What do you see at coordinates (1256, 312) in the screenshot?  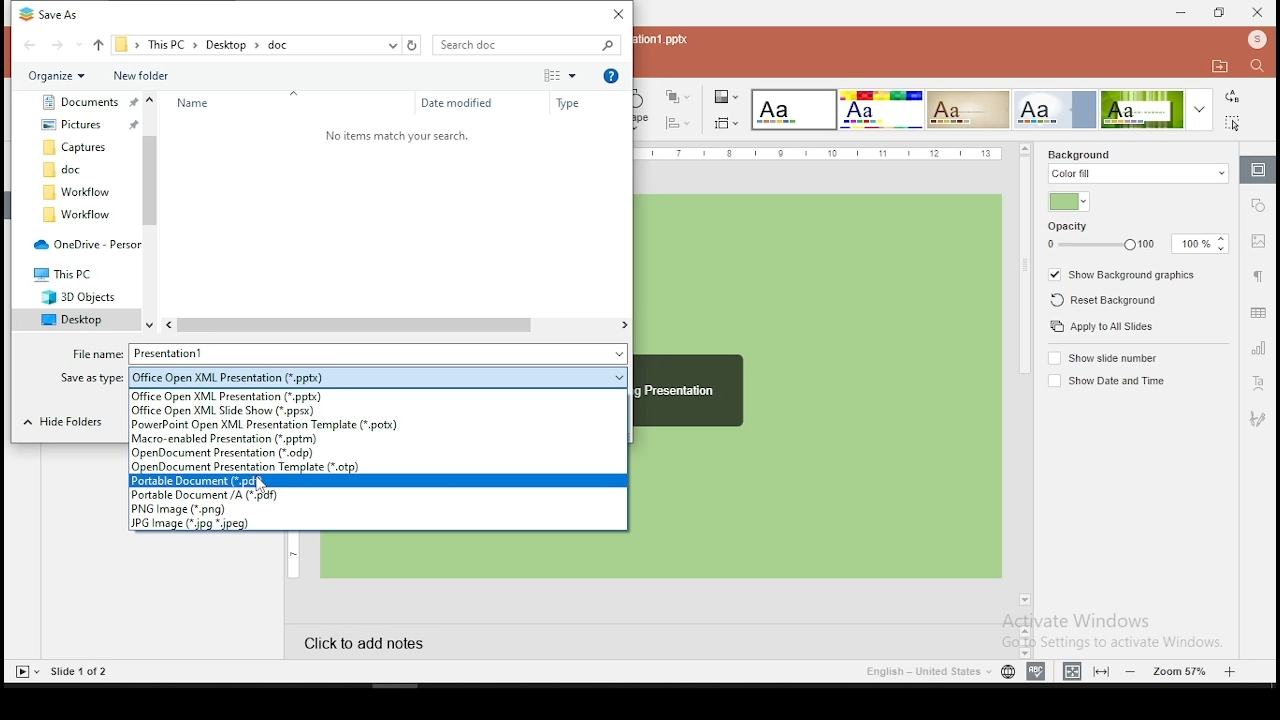 I see `table settings` at bounding box center [1256, 312].